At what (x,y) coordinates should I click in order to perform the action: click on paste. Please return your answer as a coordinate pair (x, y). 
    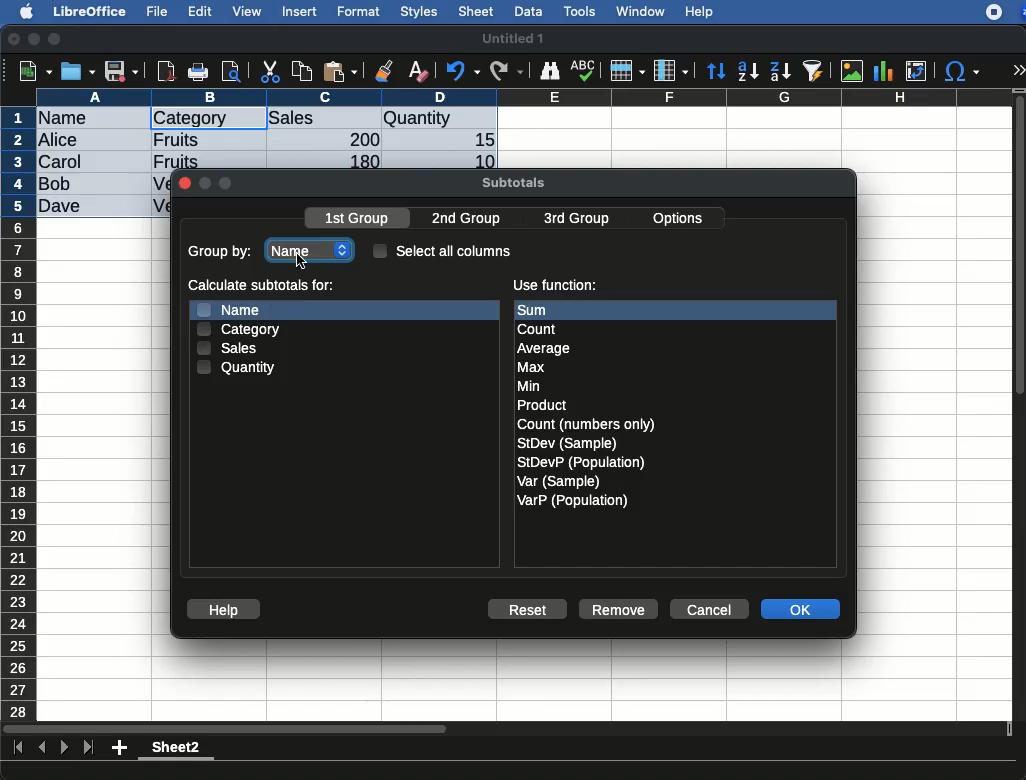
    Looking at the image, I should click on (339, 71).